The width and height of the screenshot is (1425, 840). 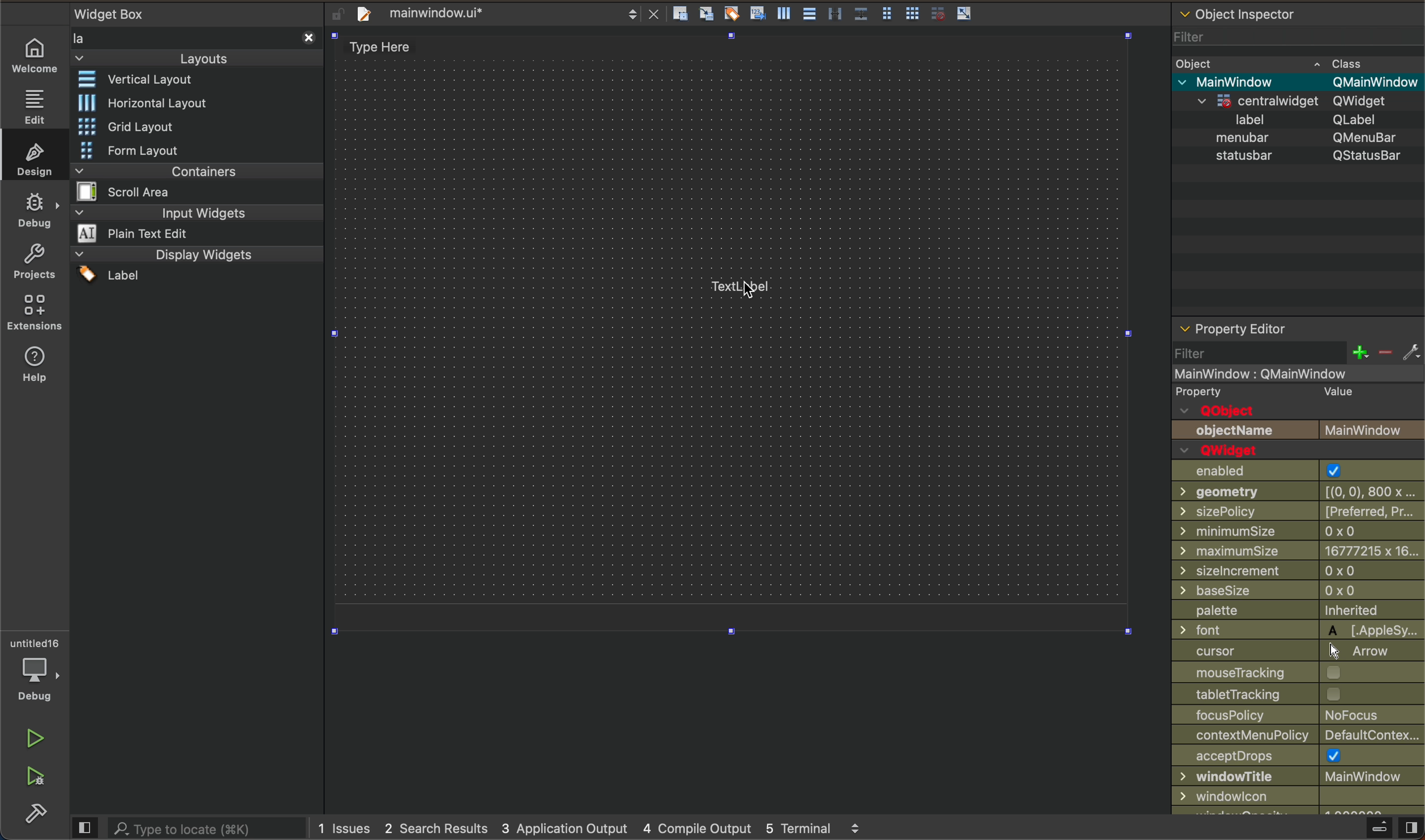 I want to click on widget box, so click(x=194, y=36).